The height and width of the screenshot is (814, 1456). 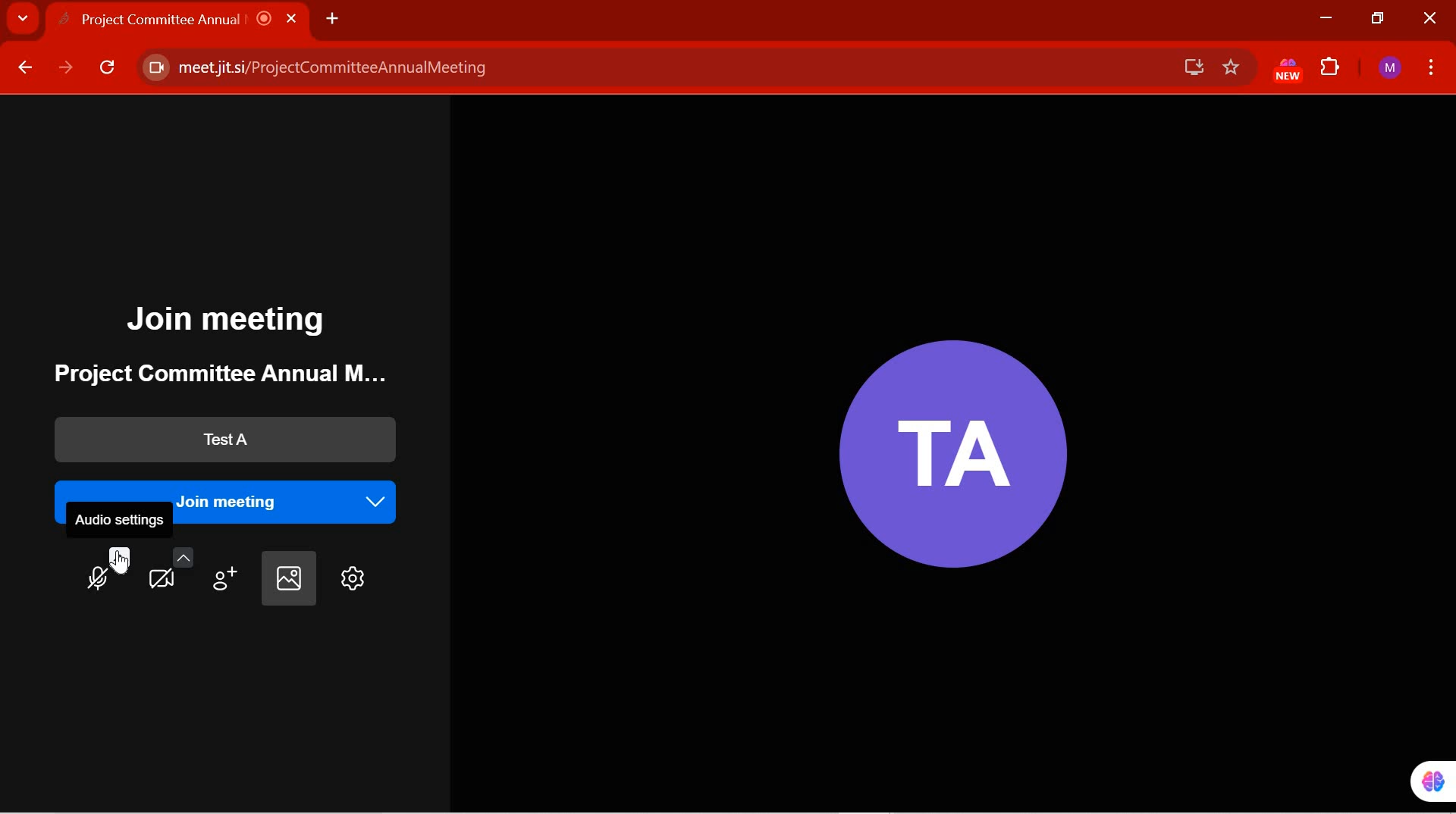 I want to click on CLOSE, so click(x=1427, y=19).